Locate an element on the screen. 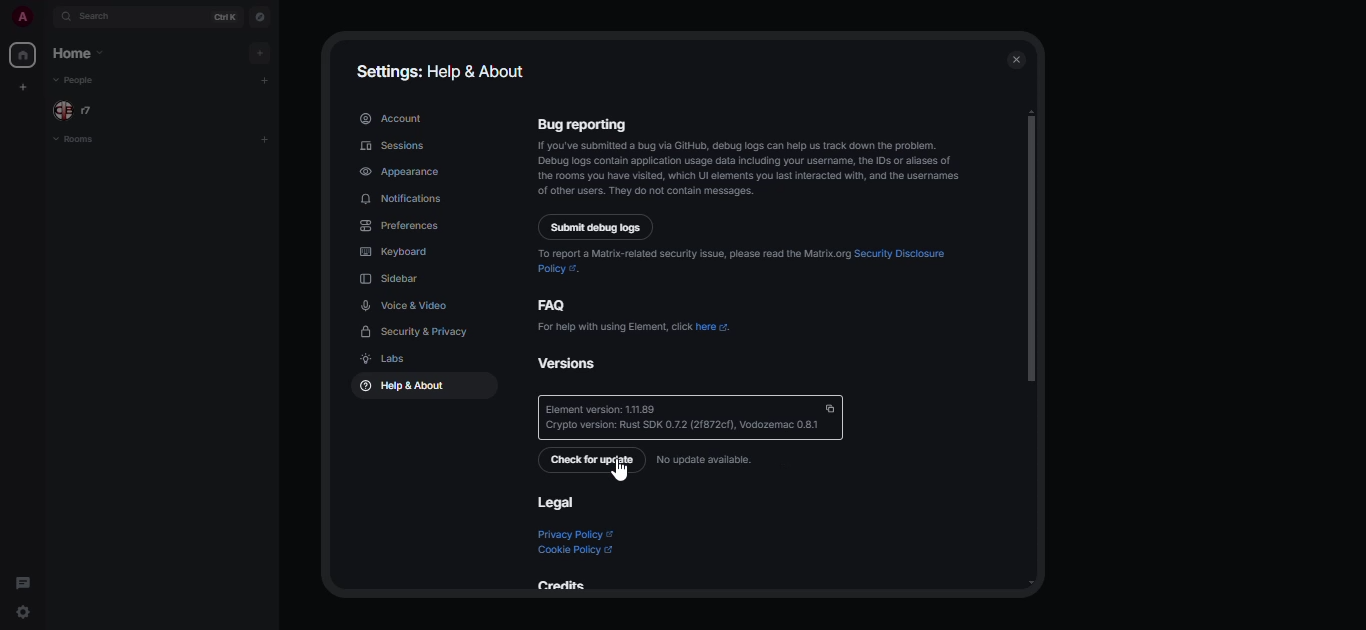 The width and height of the screenshot is (1366, 630). home is located at coordinates (22, 55).